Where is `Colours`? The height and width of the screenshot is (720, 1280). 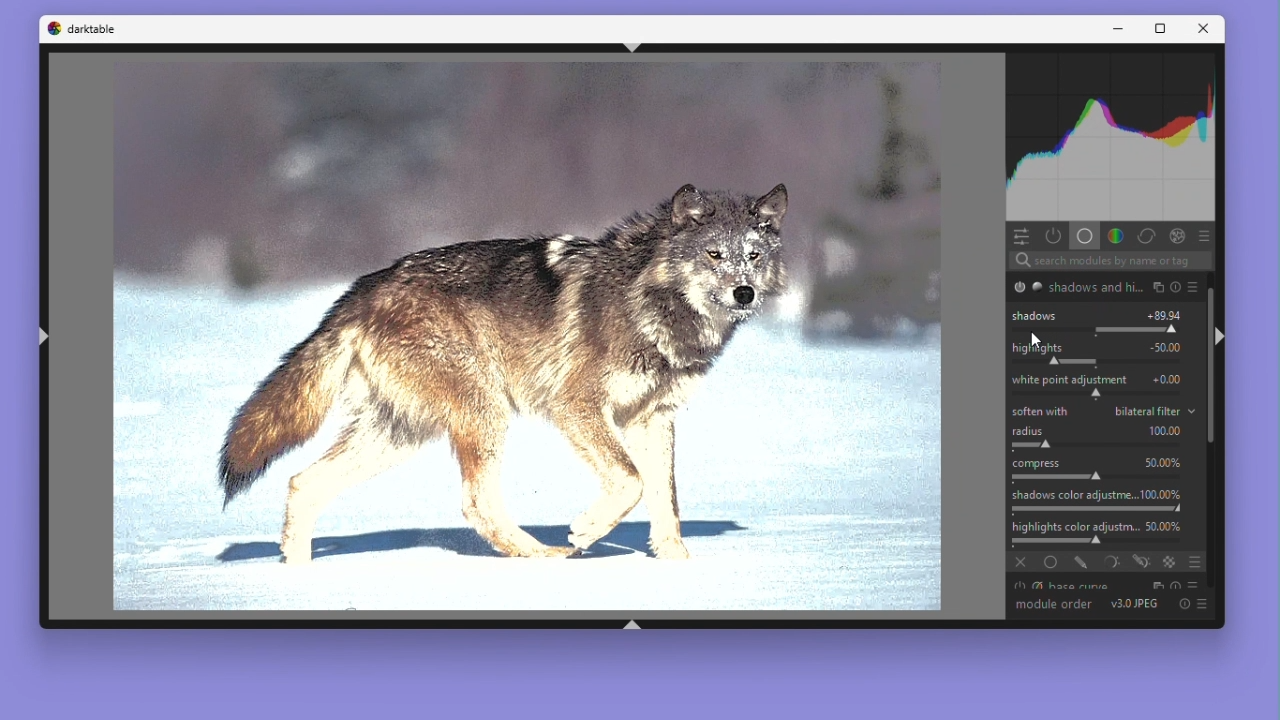 Colours is located at coordinates (1114, 235).